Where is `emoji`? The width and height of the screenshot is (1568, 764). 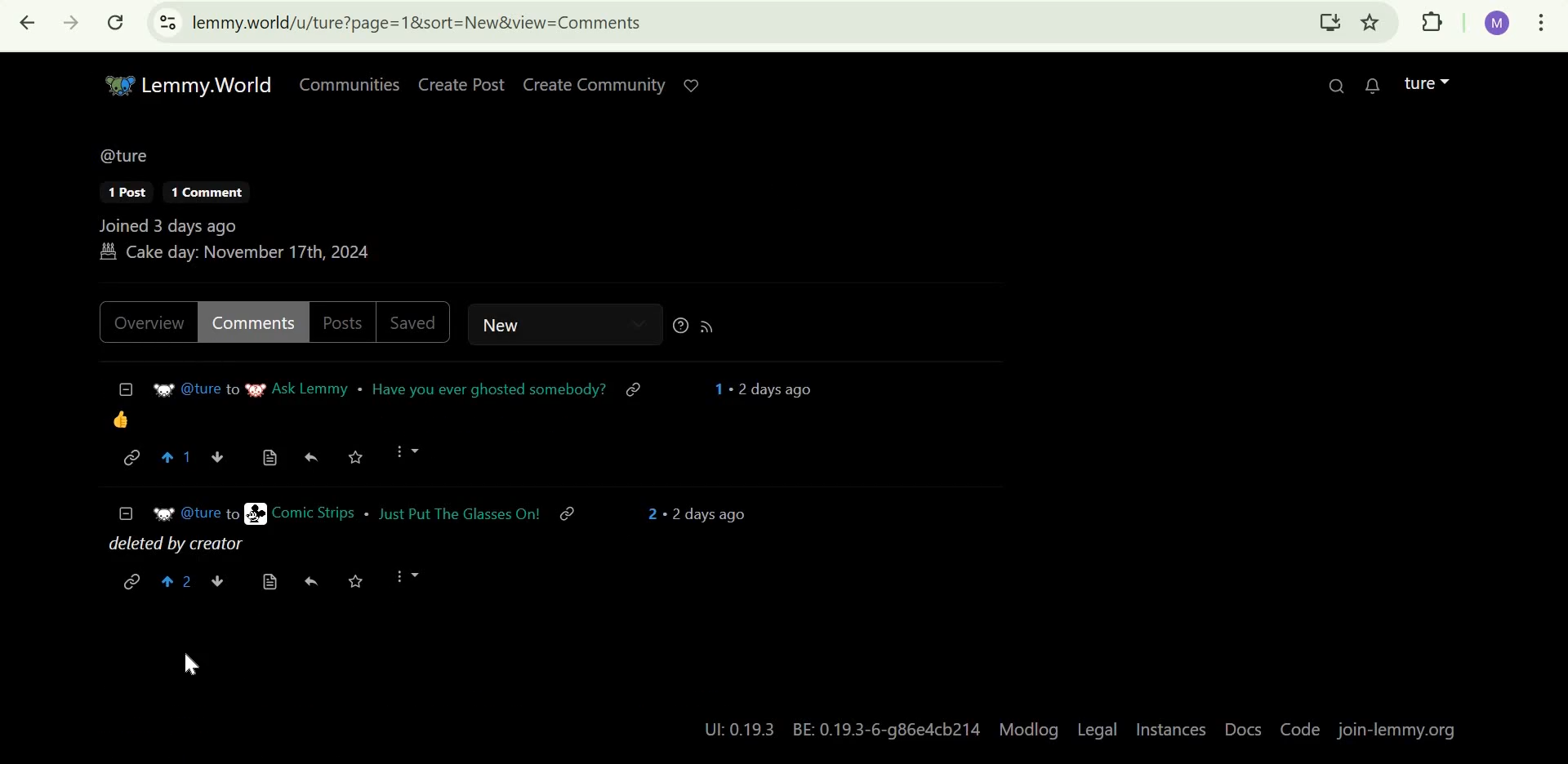 emoji is located at coordinates (121, 419).